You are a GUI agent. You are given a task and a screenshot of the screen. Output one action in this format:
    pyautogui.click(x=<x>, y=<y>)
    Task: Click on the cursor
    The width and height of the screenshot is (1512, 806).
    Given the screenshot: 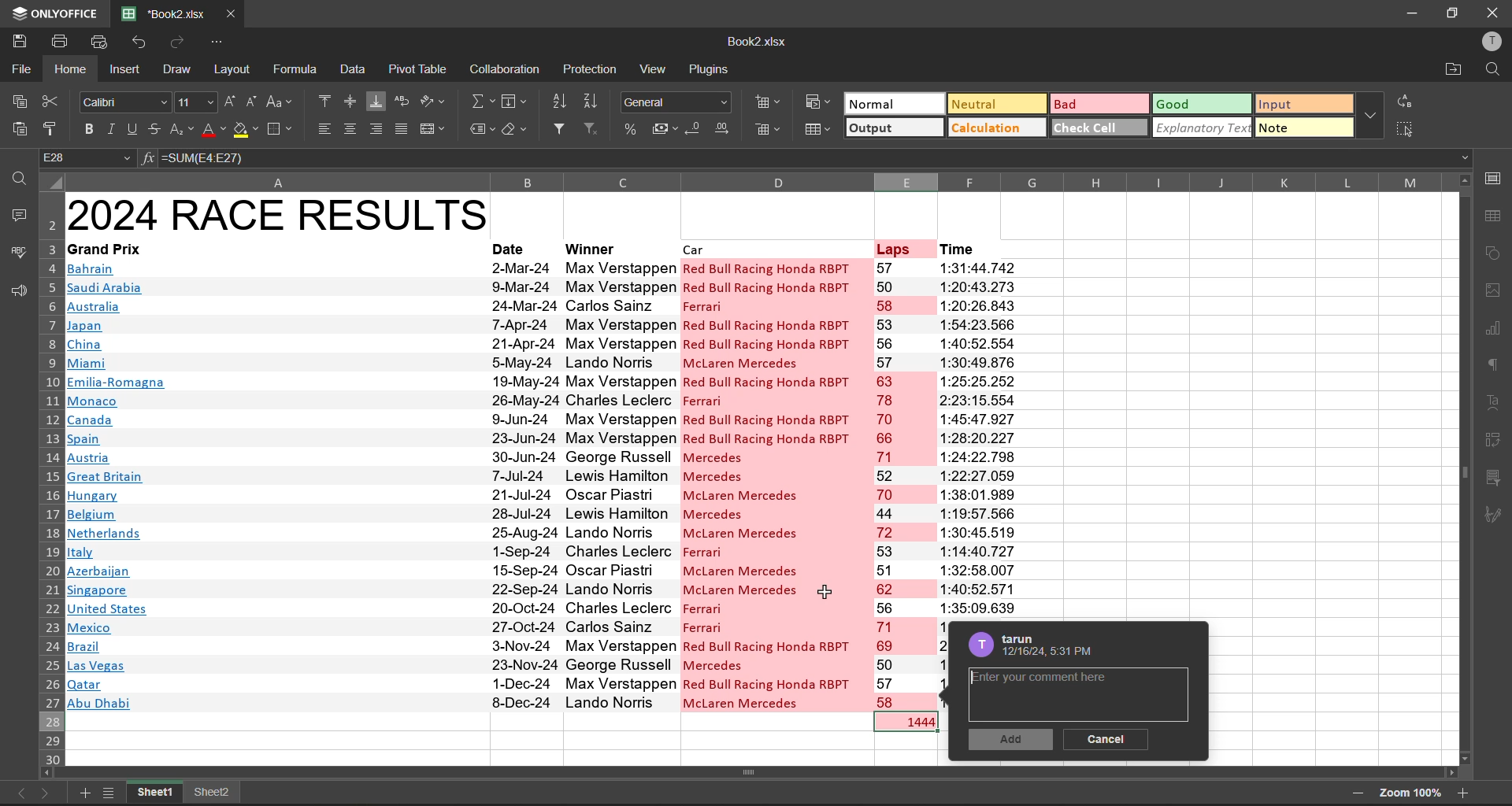 What is the action you would take?
    pyautogui.click(x=826, y=590)
    